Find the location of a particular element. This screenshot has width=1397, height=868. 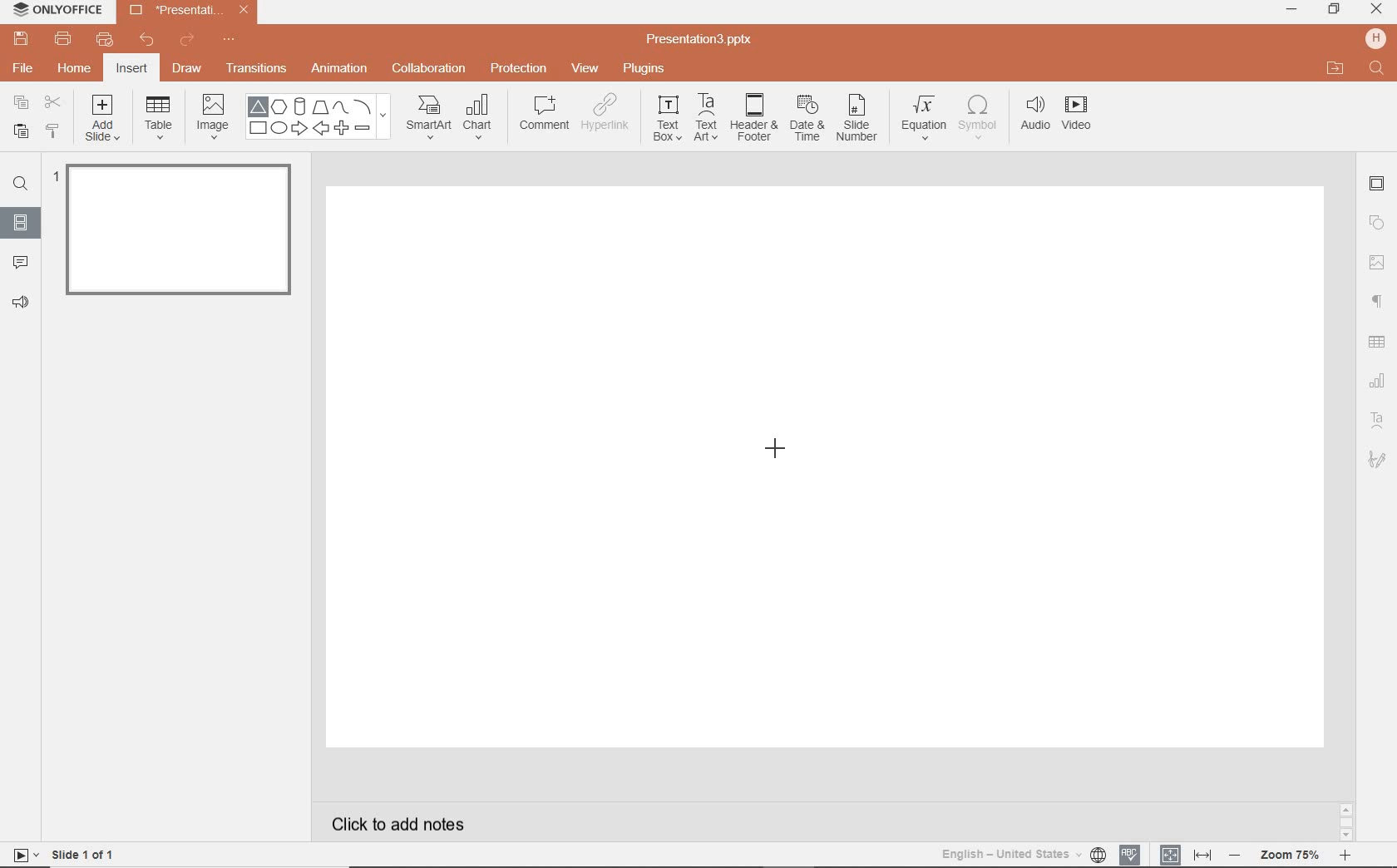

CUT is located at coordinates (54, 101).